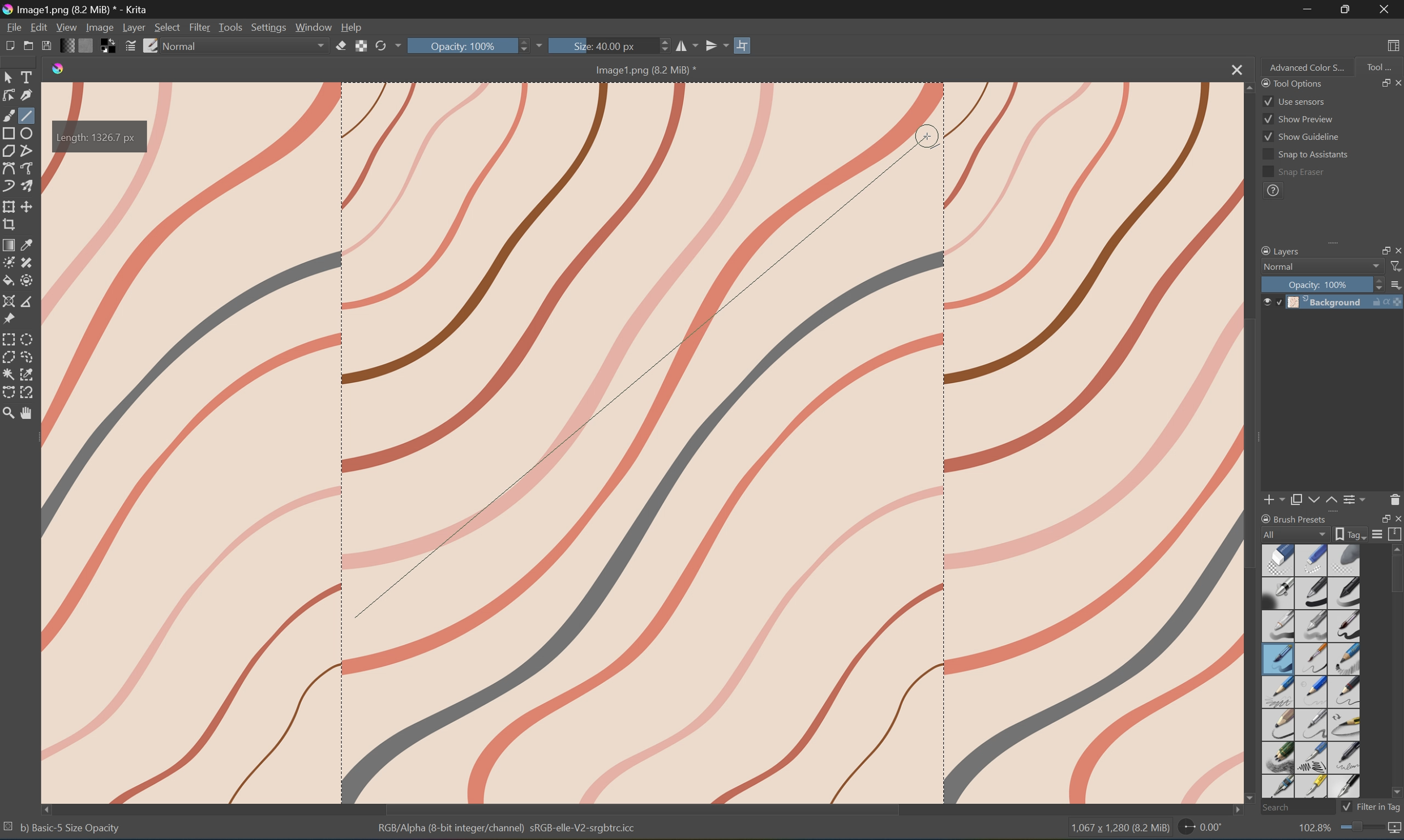  I want to click on Snap to assistants, so click(1304, 155).